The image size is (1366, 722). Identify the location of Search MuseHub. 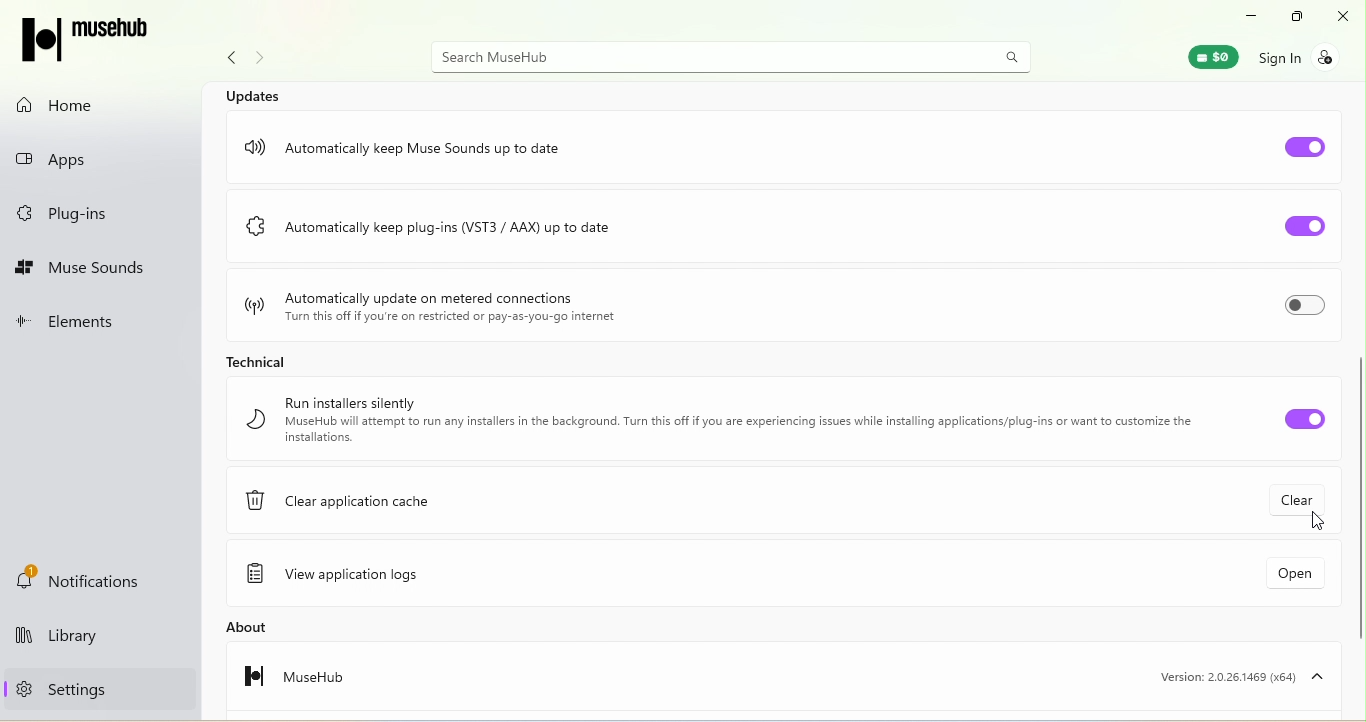
(734, 56).